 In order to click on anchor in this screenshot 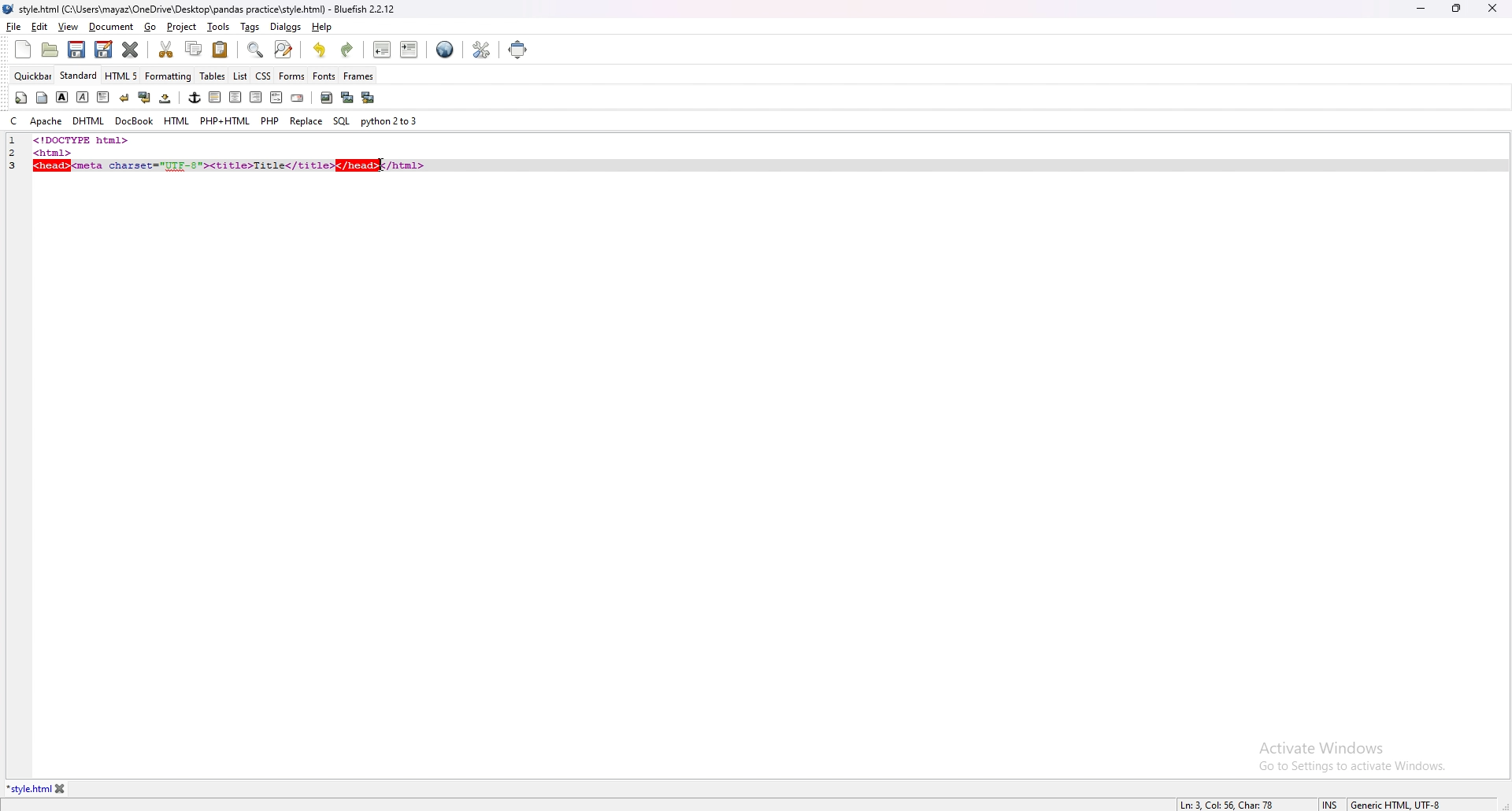, I will do `click(195, 98)`.